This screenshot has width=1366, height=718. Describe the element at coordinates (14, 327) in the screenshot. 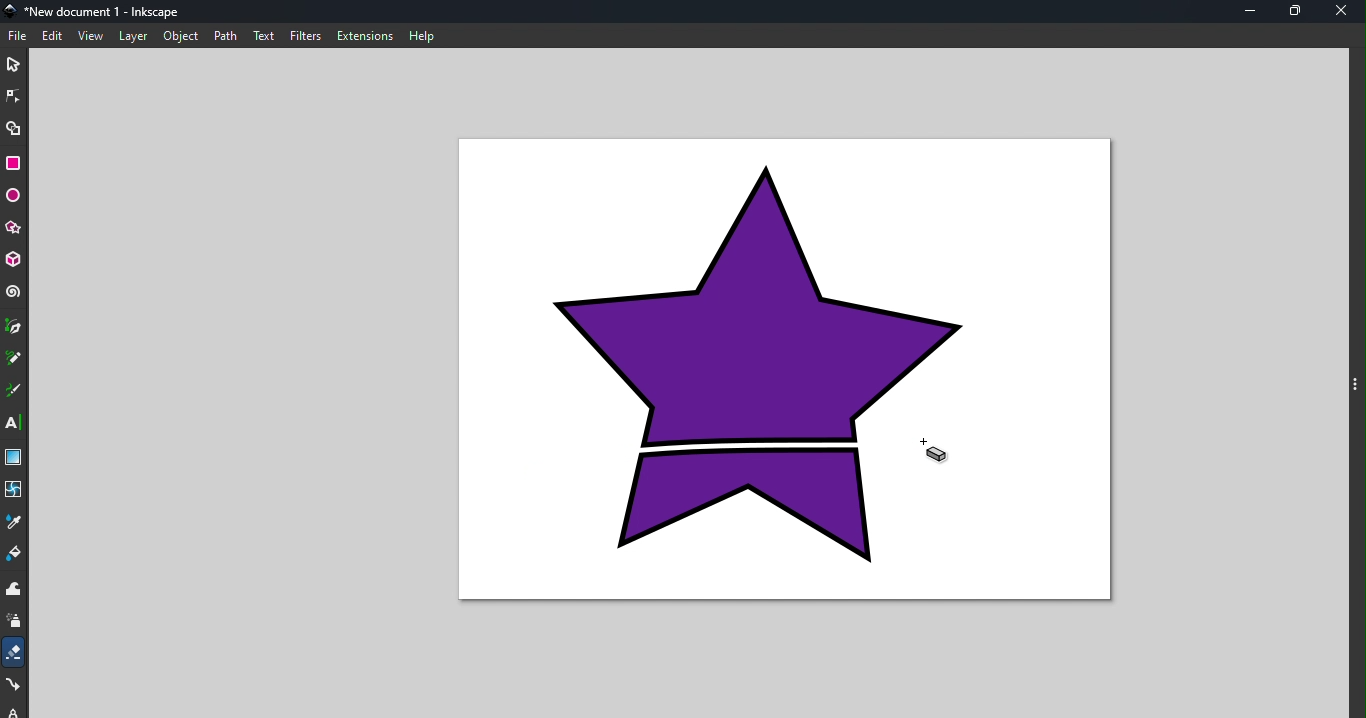

I see `pen tool` at that location.